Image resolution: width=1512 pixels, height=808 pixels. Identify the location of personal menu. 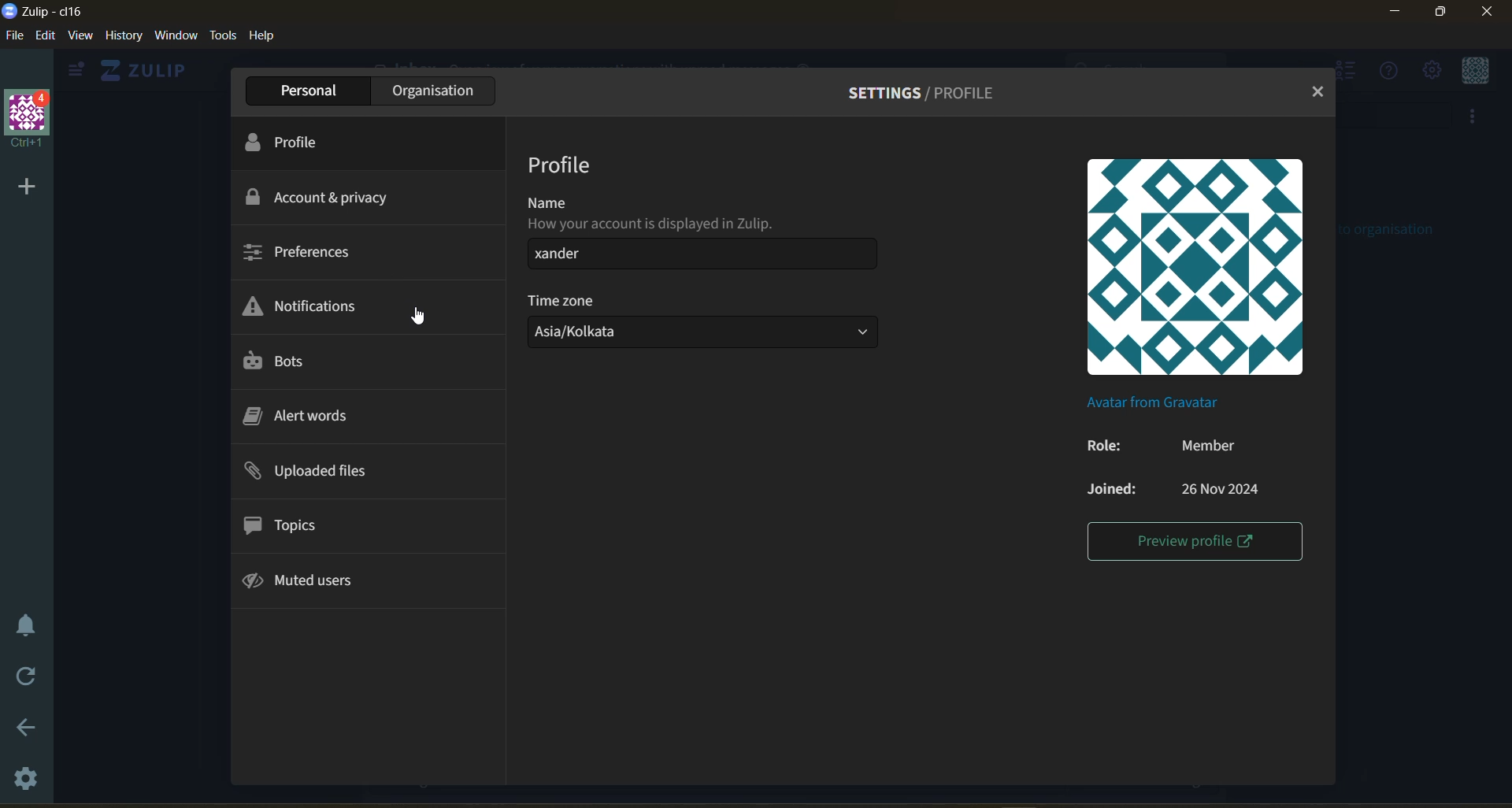
(1475, 70).